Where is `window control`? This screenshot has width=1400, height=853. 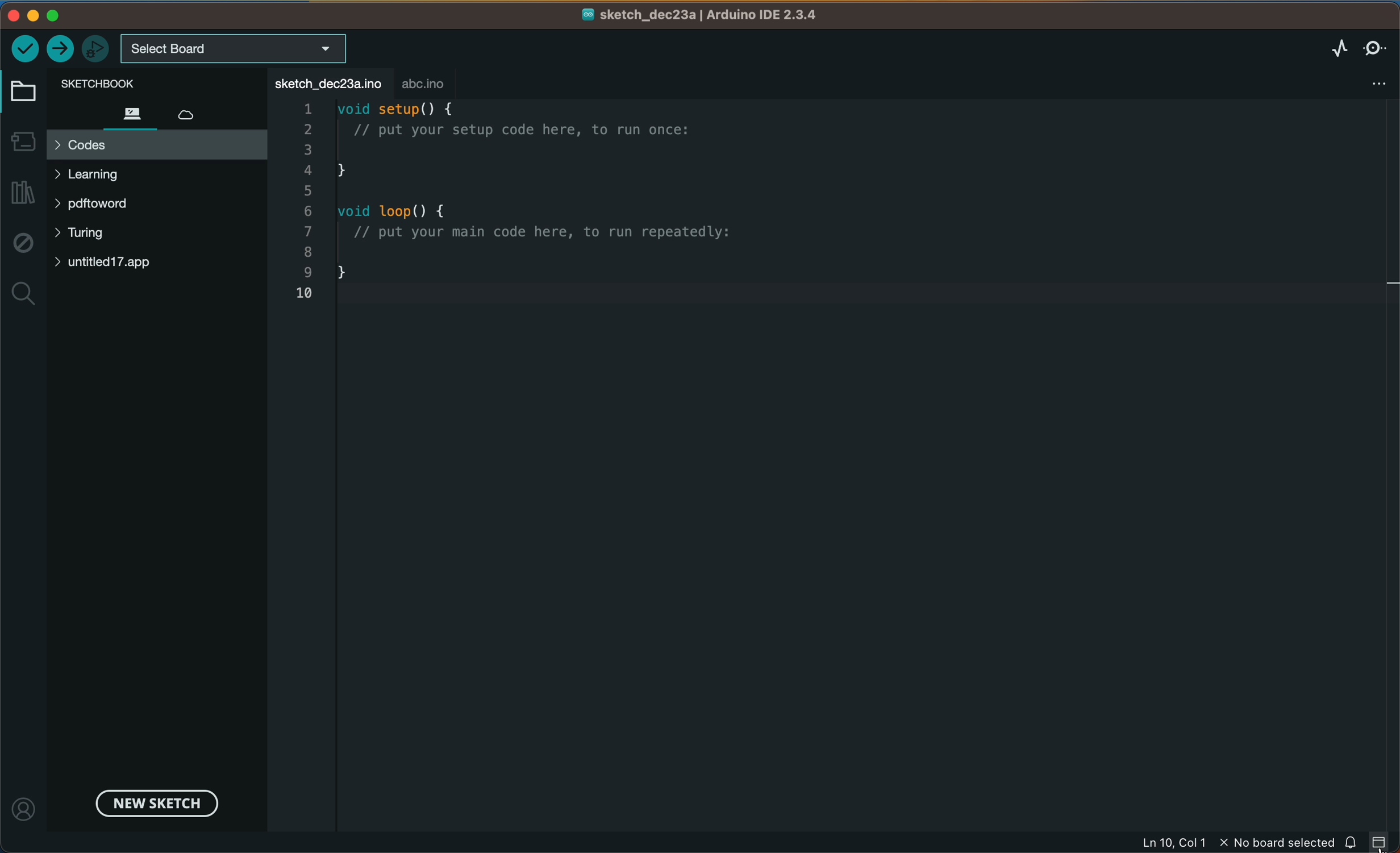 window control is located at coordinates (84, 16).